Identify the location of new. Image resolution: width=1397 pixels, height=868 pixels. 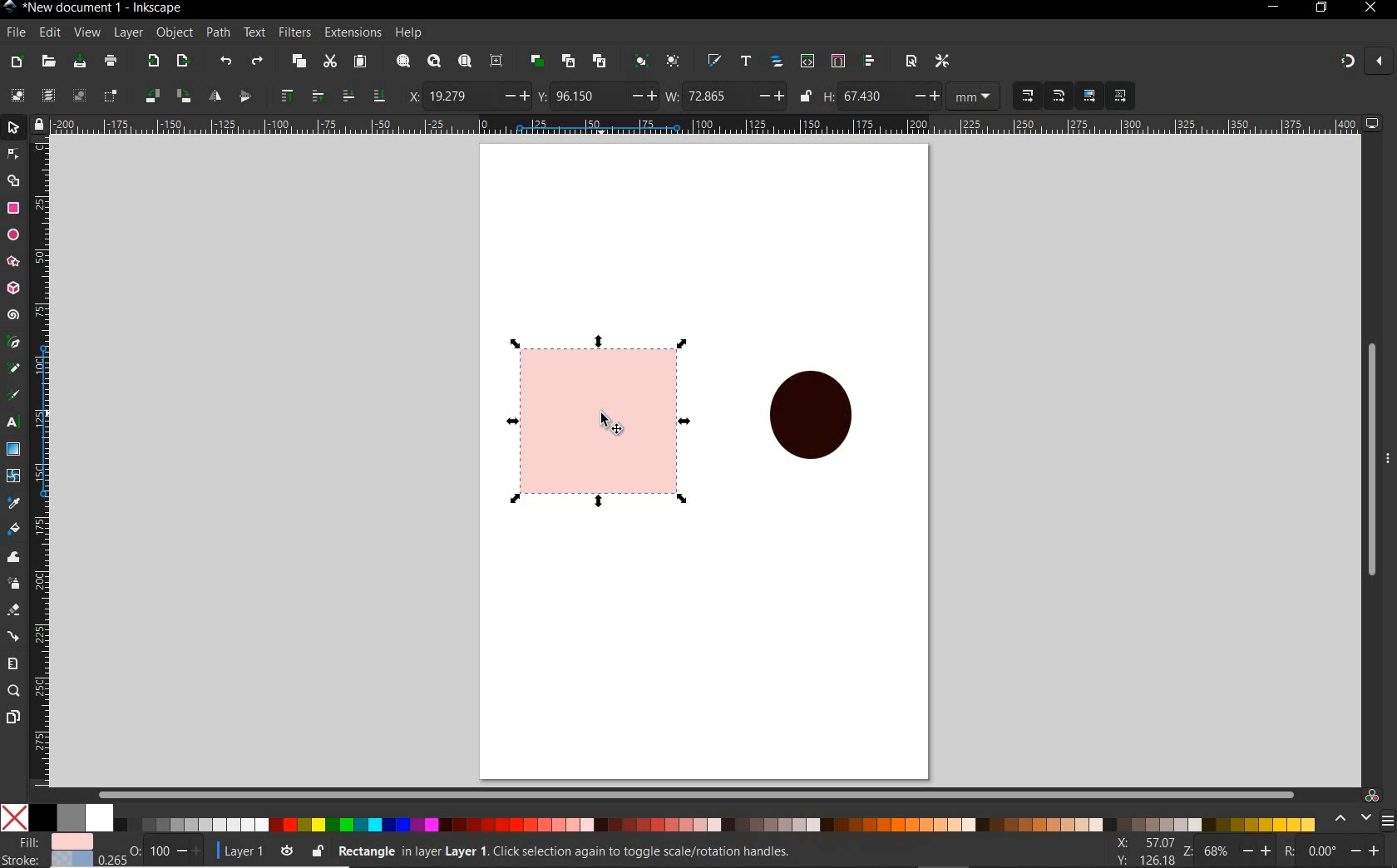
(17, 63).